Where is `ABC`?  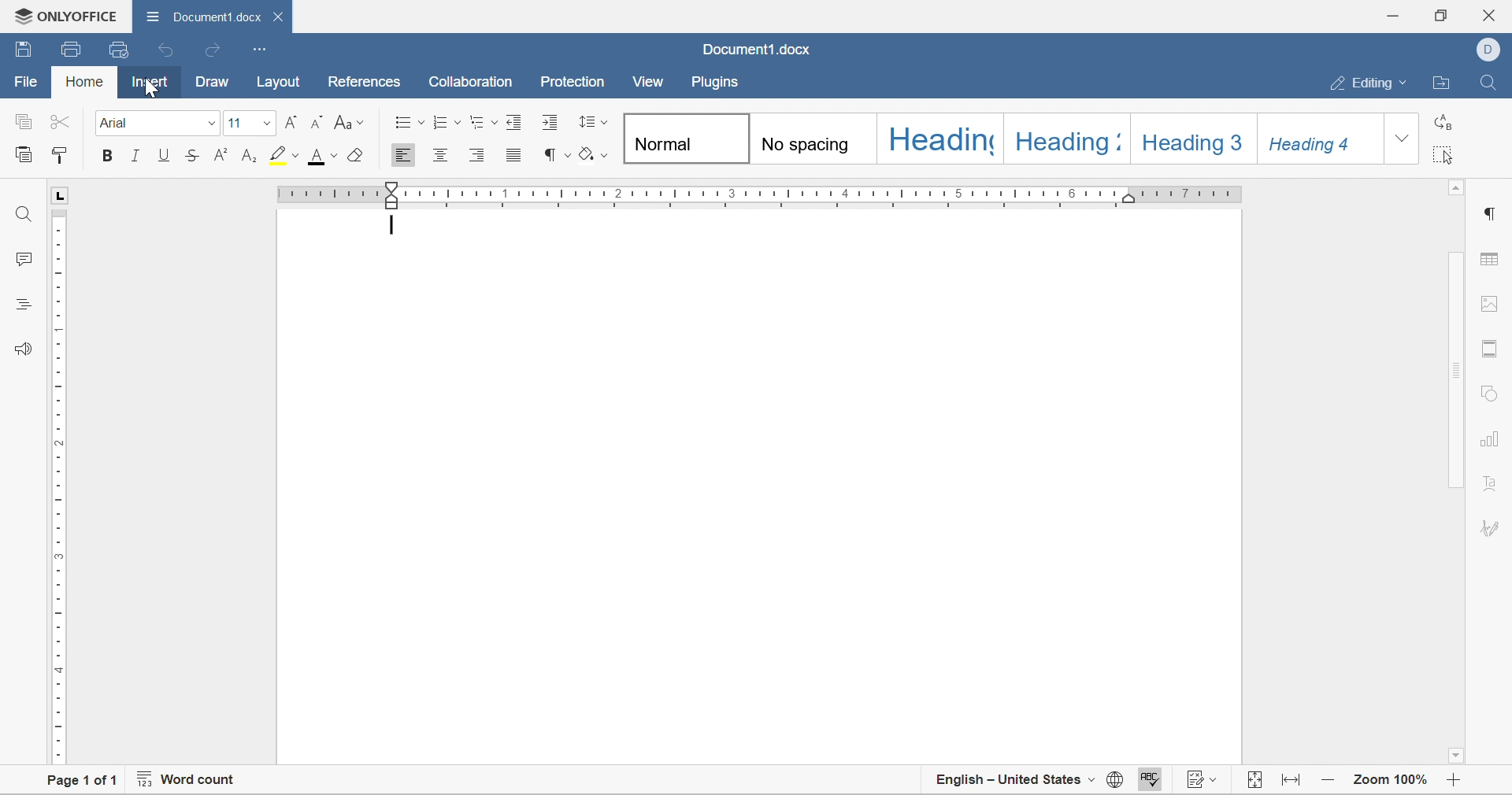
ABC is located at coordinates (1149, 782).